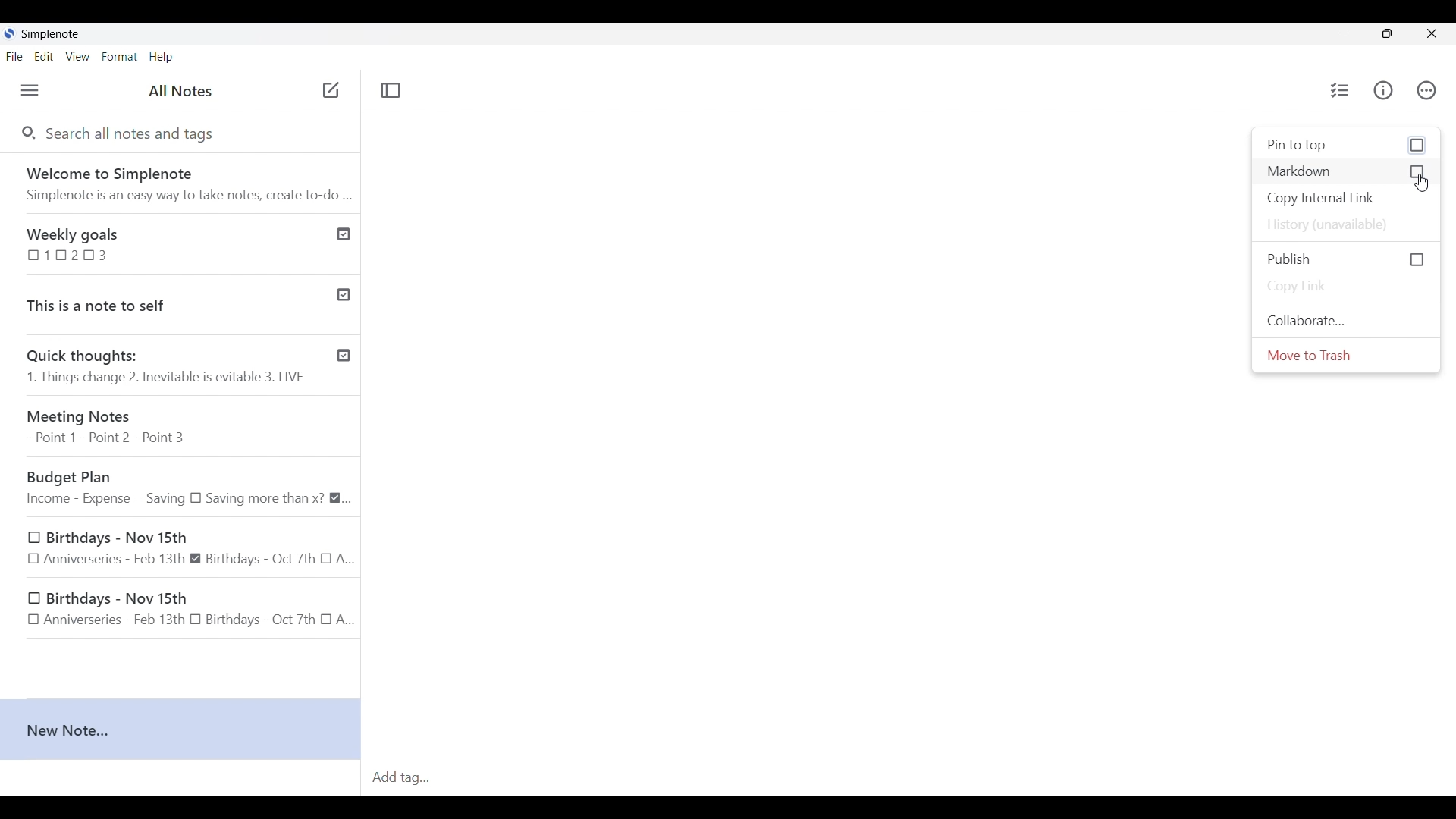 The height and width of the screenshot is (819, 1456). What do you see at coordinates (1343, 33) in the screenshot?
I see `Minimize` at bounding box center [1343, 33].